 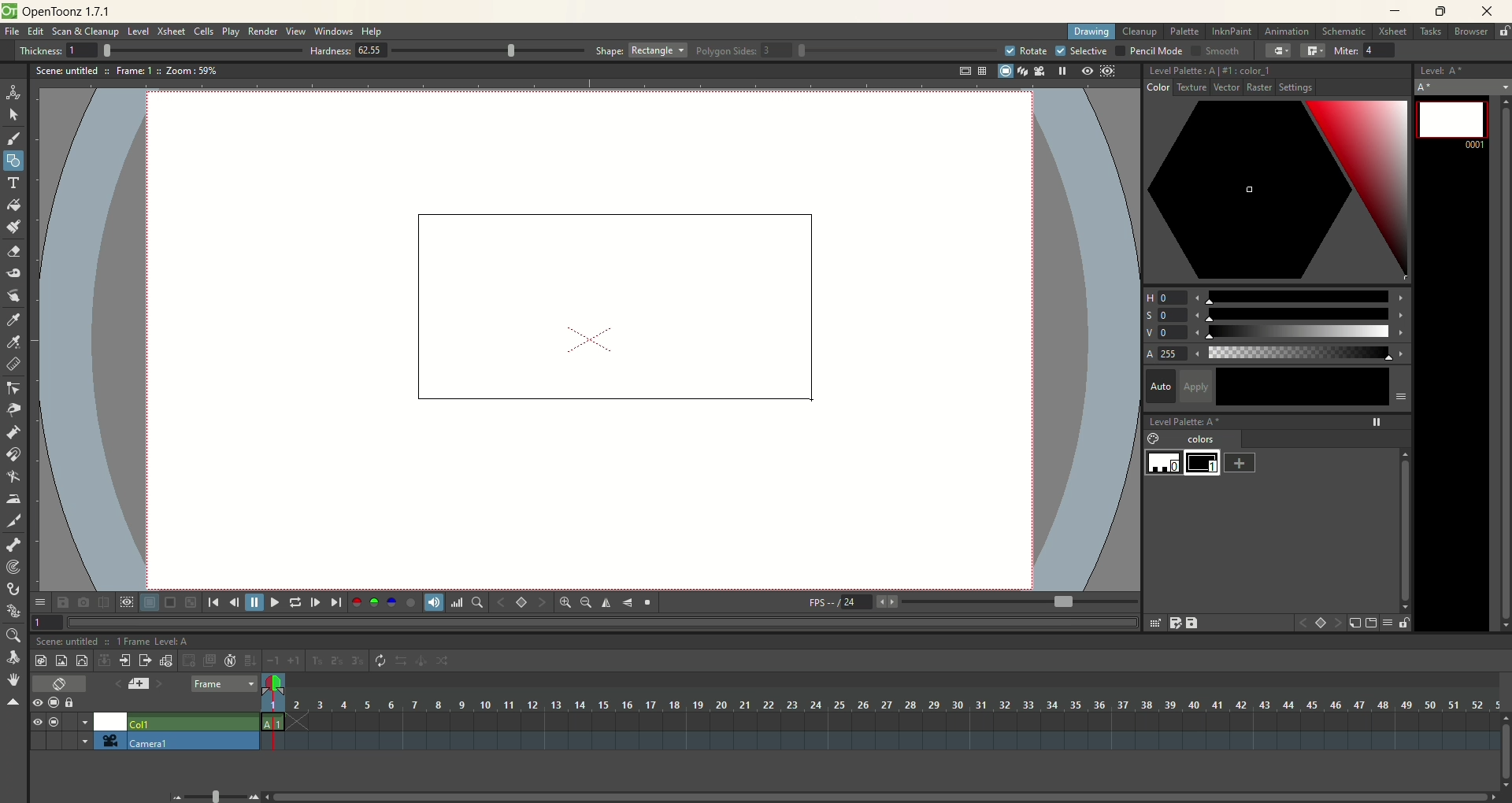 I want to click on edit, so click(x=35, y=33).